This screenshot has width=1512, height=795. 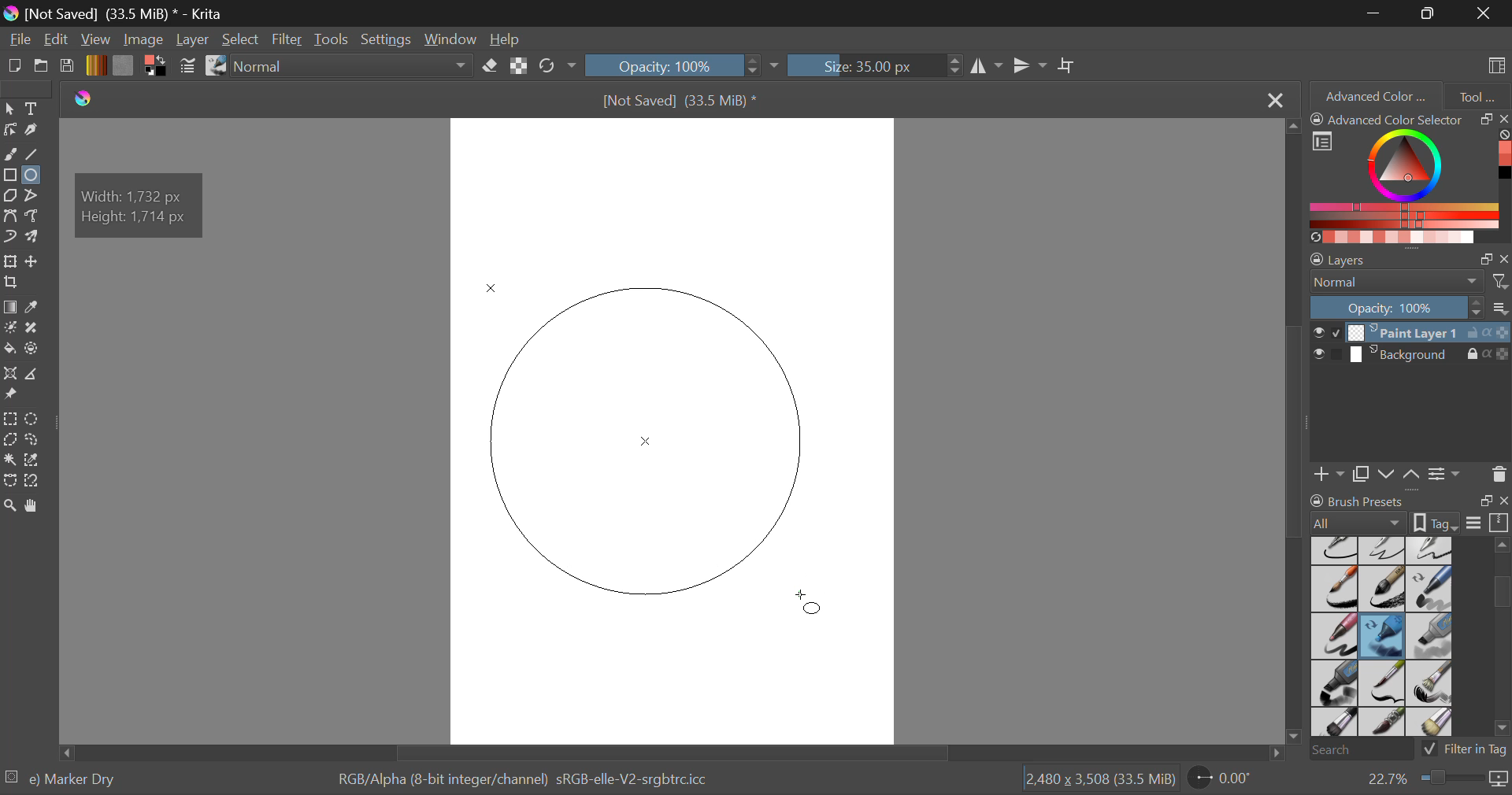 I want to click on Marker Chisel Smooth, so click(x=1430, y=588).